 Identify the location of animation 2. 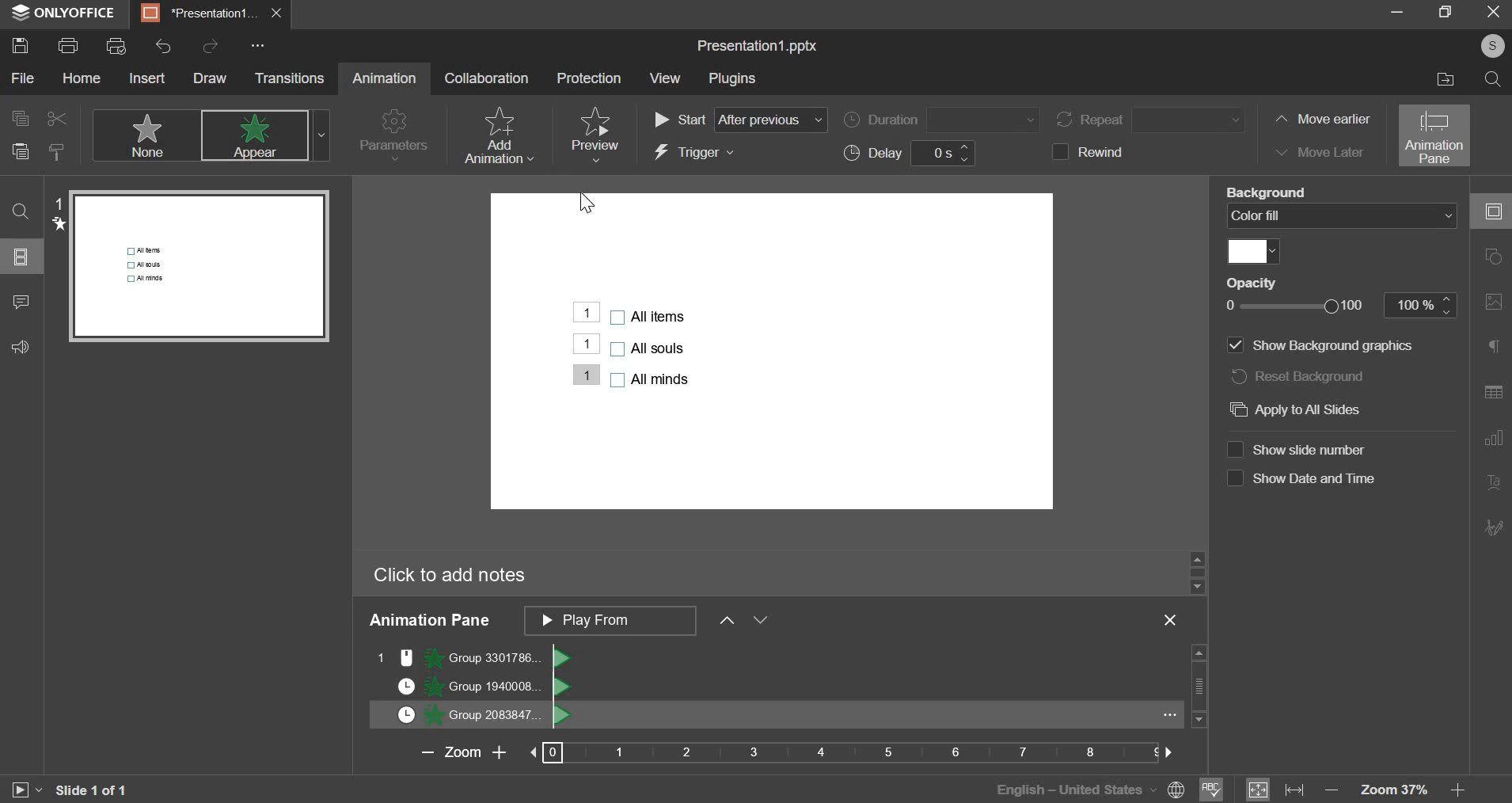
(474, 686).